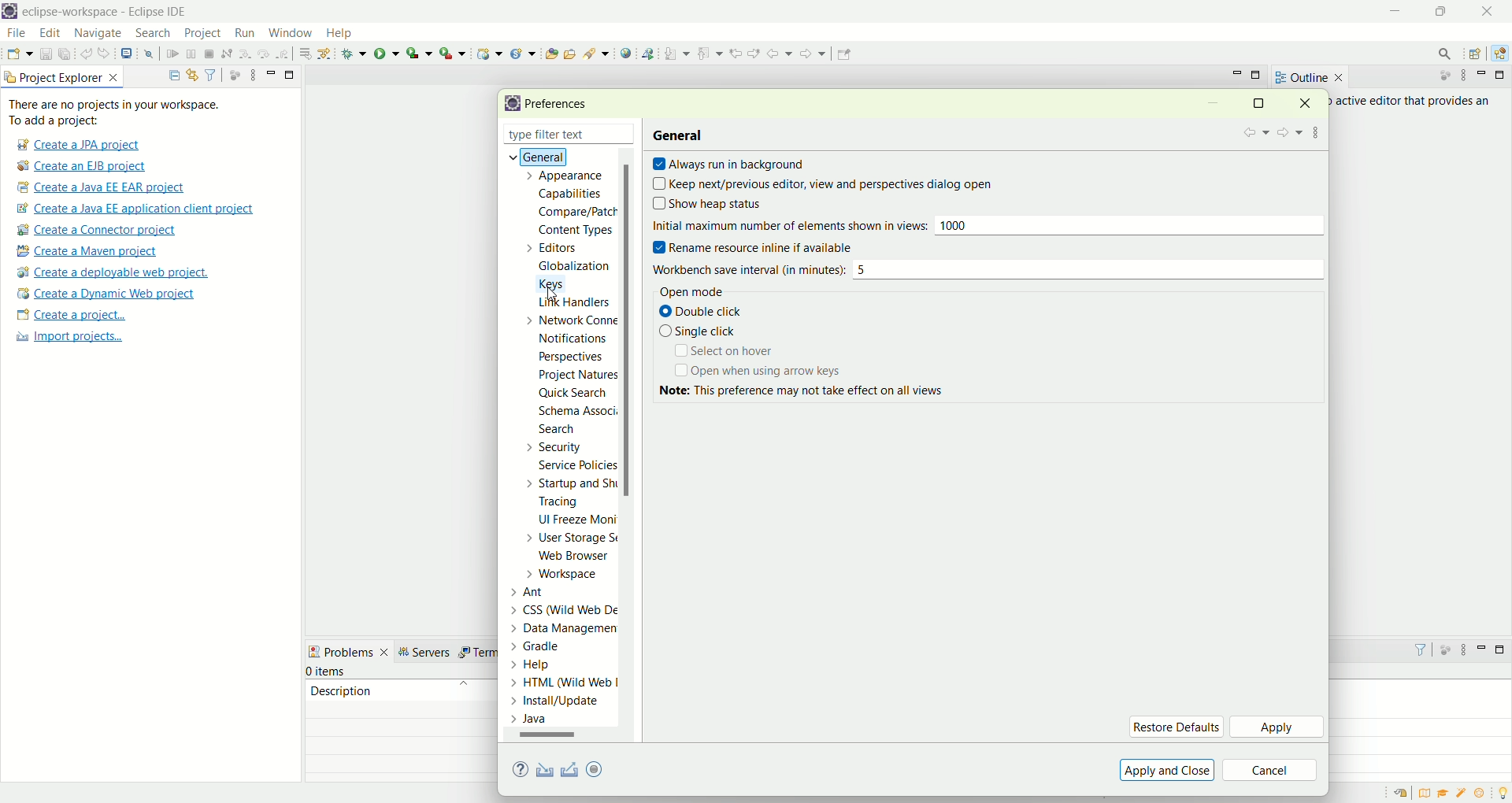  What do you see at coordinates (766, 248) in the screenshot?
I see `rename resource inline if available` at bounding box center [766, 248].